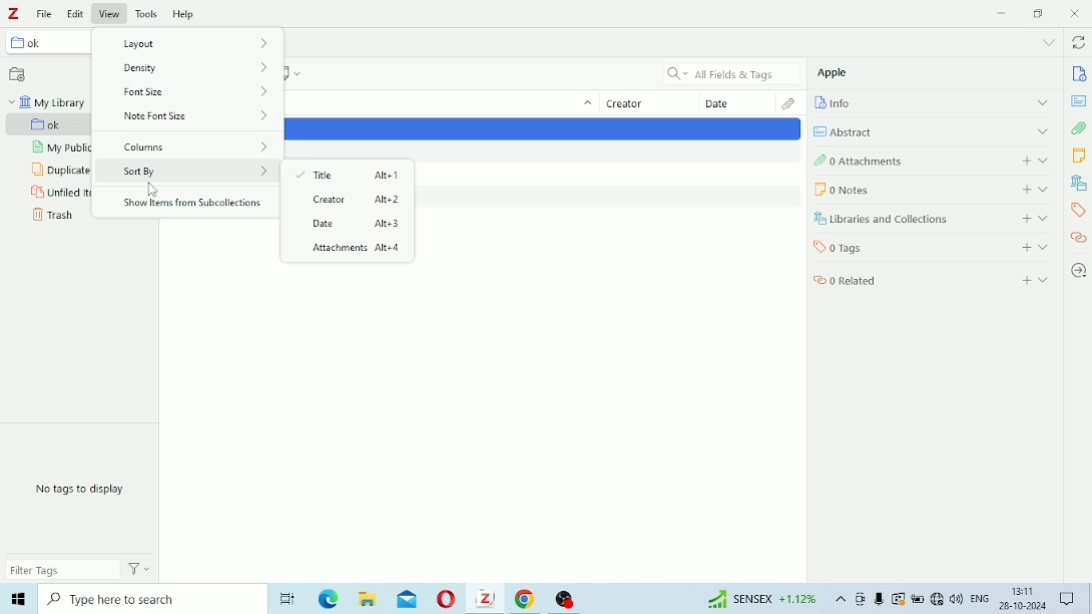 The height and width of the screenshot is (614, 1092). Describe the element at coordinates (1040, 13) in the screenshot. I see `restore down` at that location.